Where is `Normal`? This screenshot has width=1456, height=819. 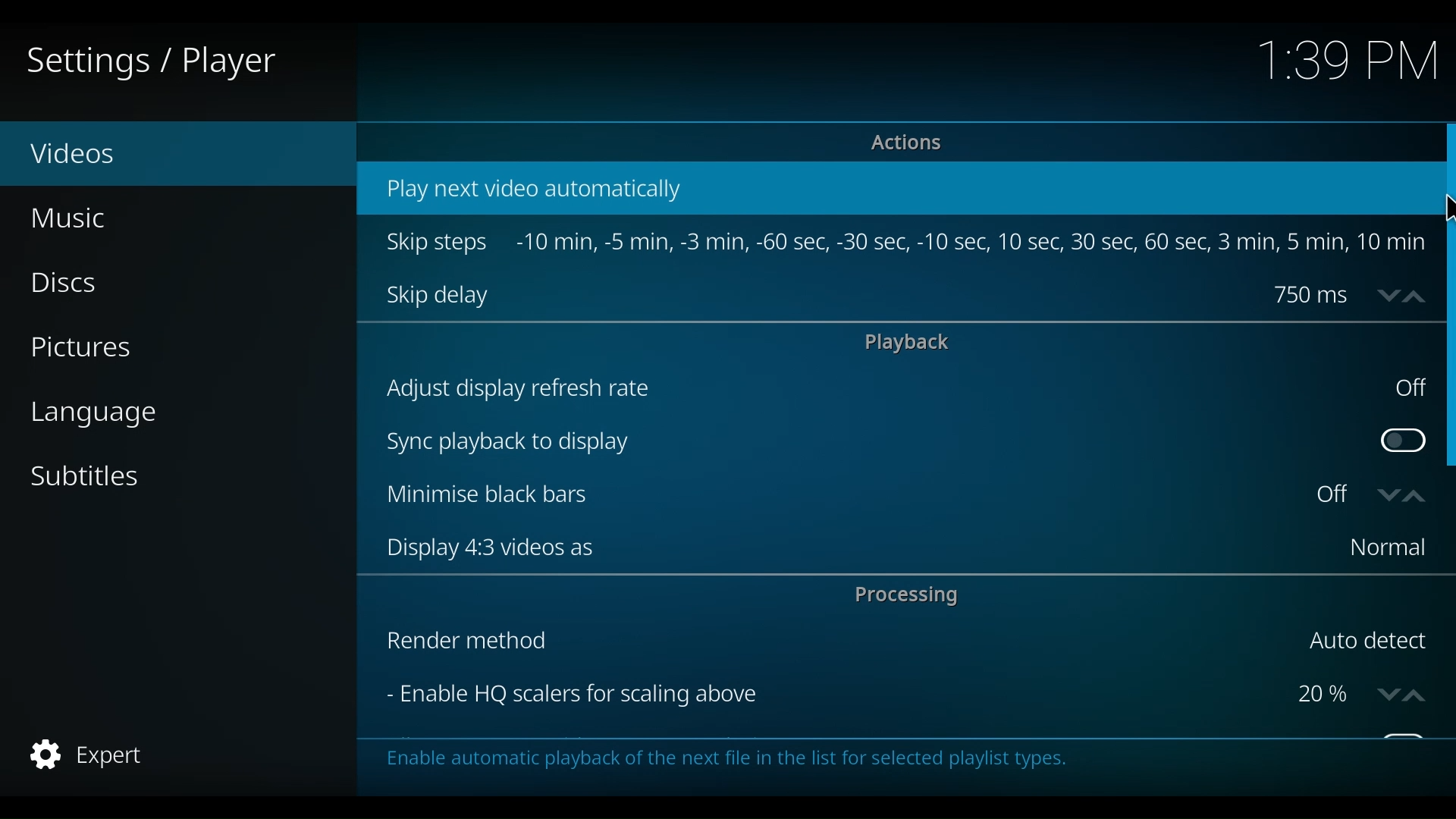
Normal is located at coordinates (1385, 549).